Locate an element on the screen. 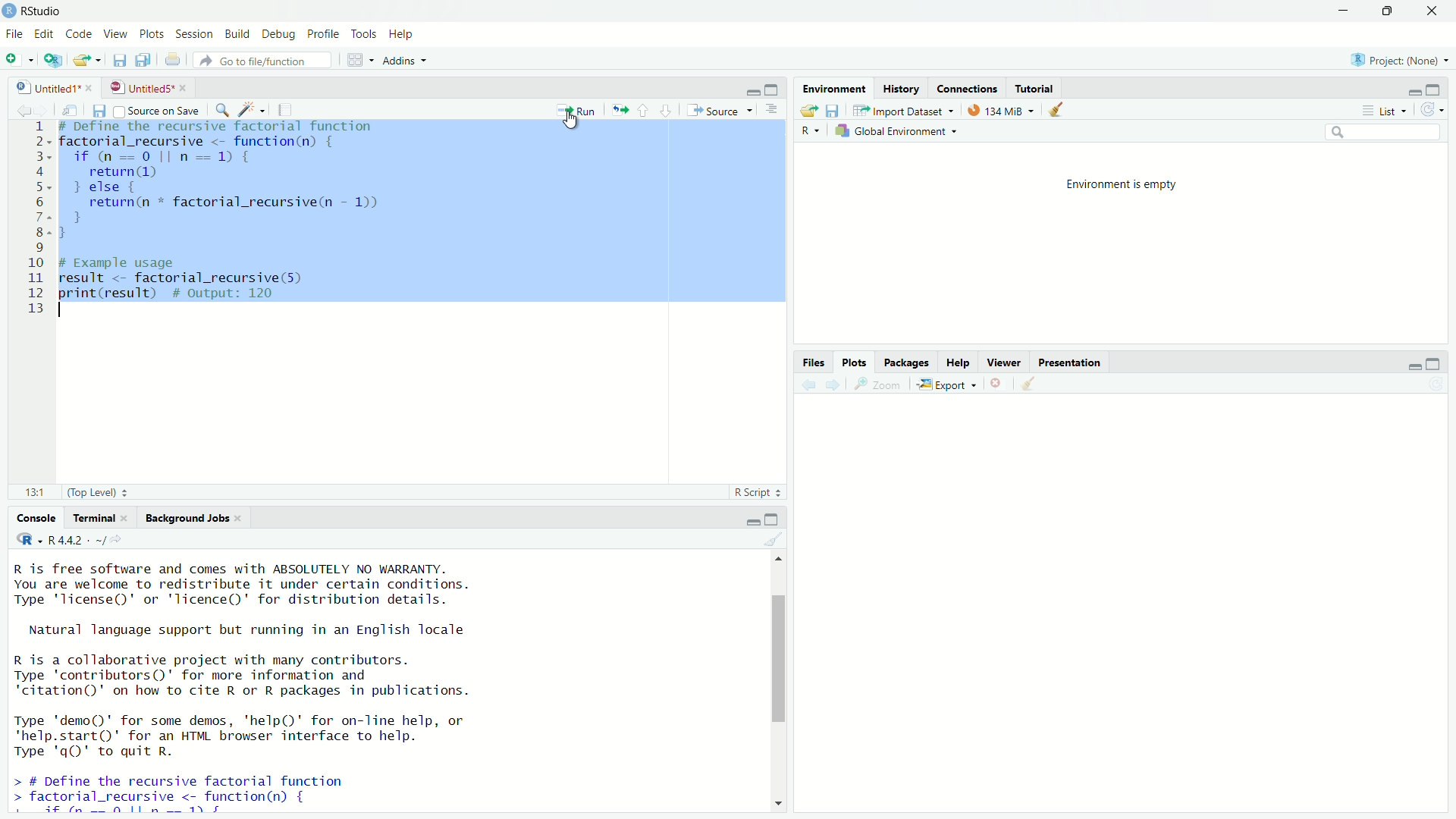  Save current document (Ctrl + S) is located at coordinates (99, 110).